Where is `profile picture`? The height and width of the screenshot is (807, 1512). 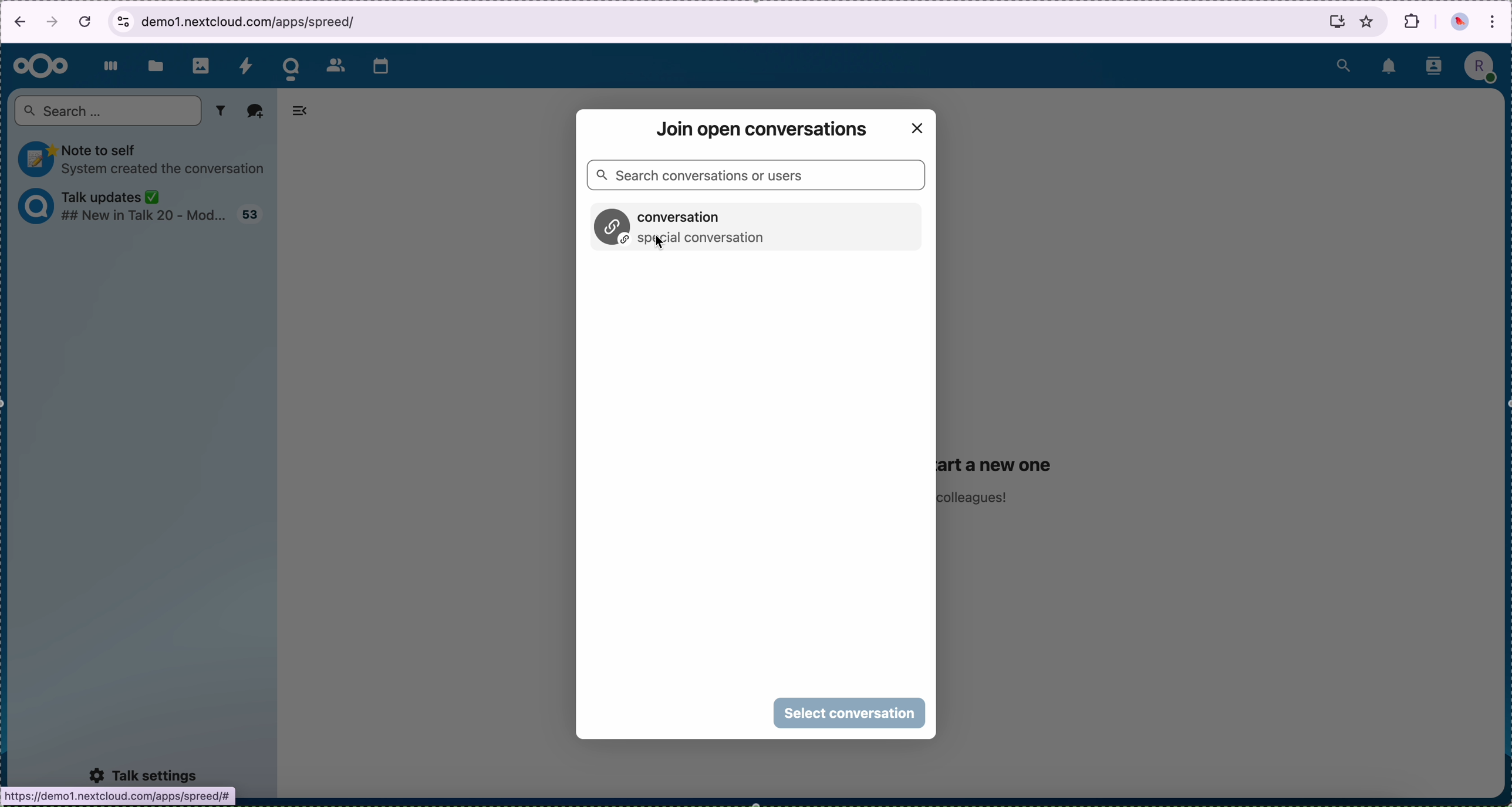 profile picture is located at coordinates (1483, 66).